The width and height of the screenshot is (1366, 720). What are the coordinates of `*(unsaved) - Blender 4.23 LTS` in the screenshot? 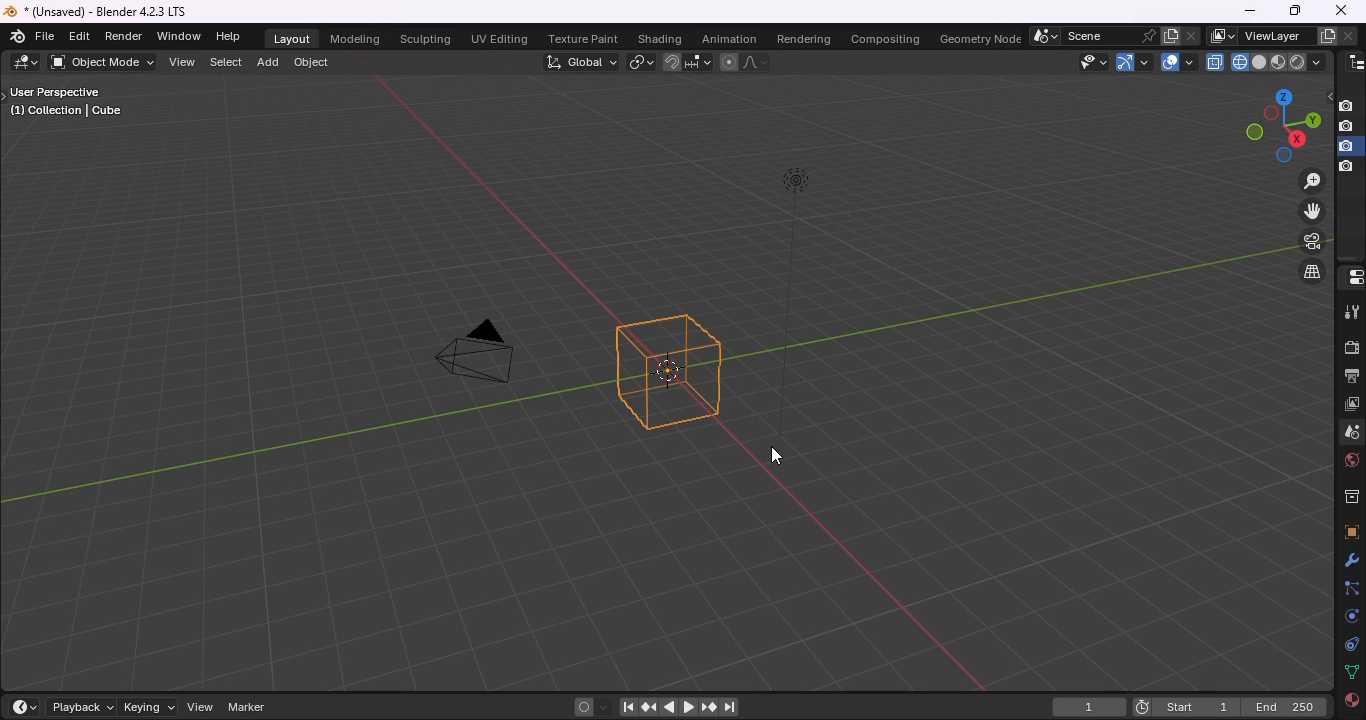 It's located at (109, 12).